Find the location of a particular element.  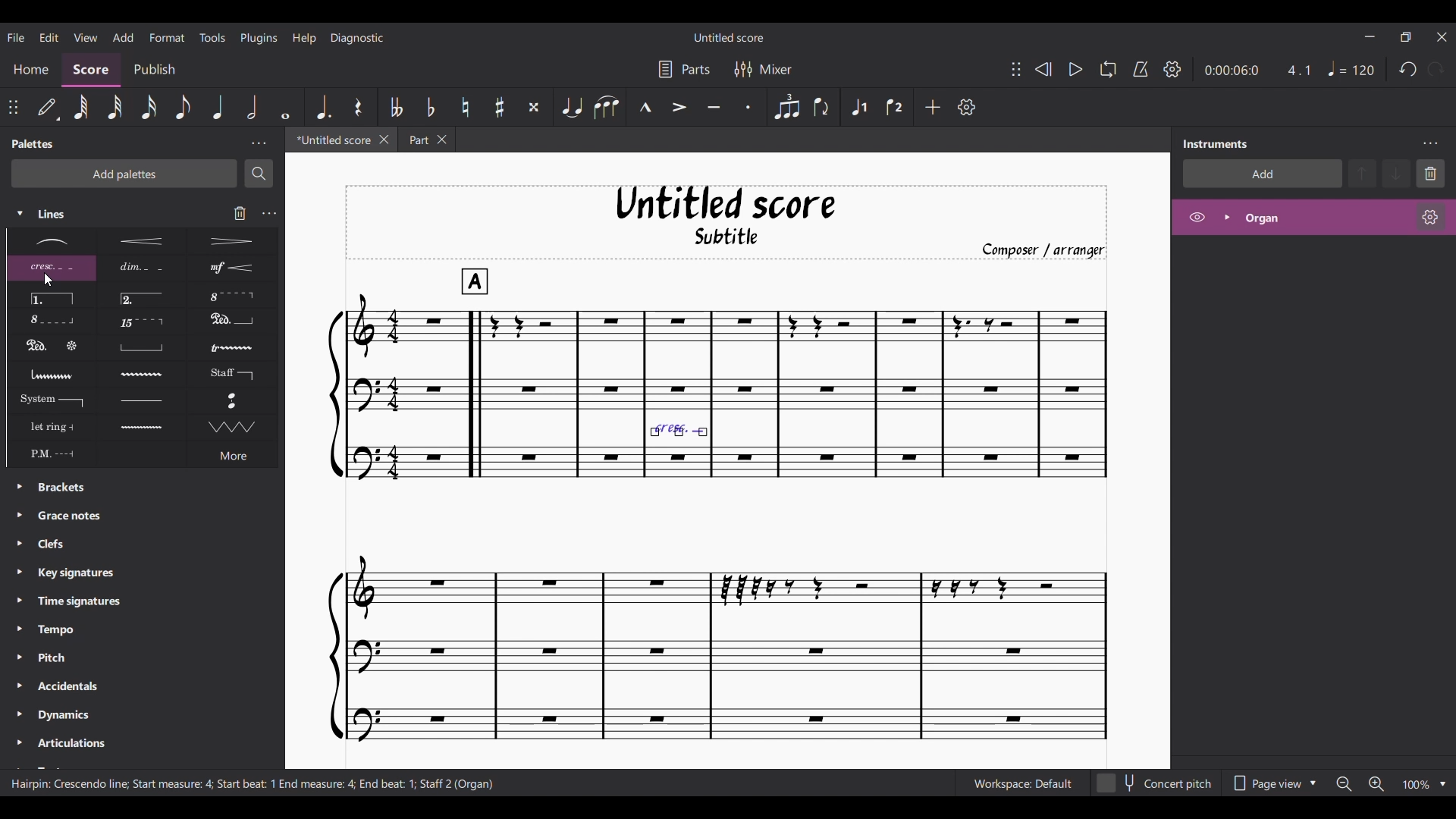

Accent is located at coordinates (679, 108).